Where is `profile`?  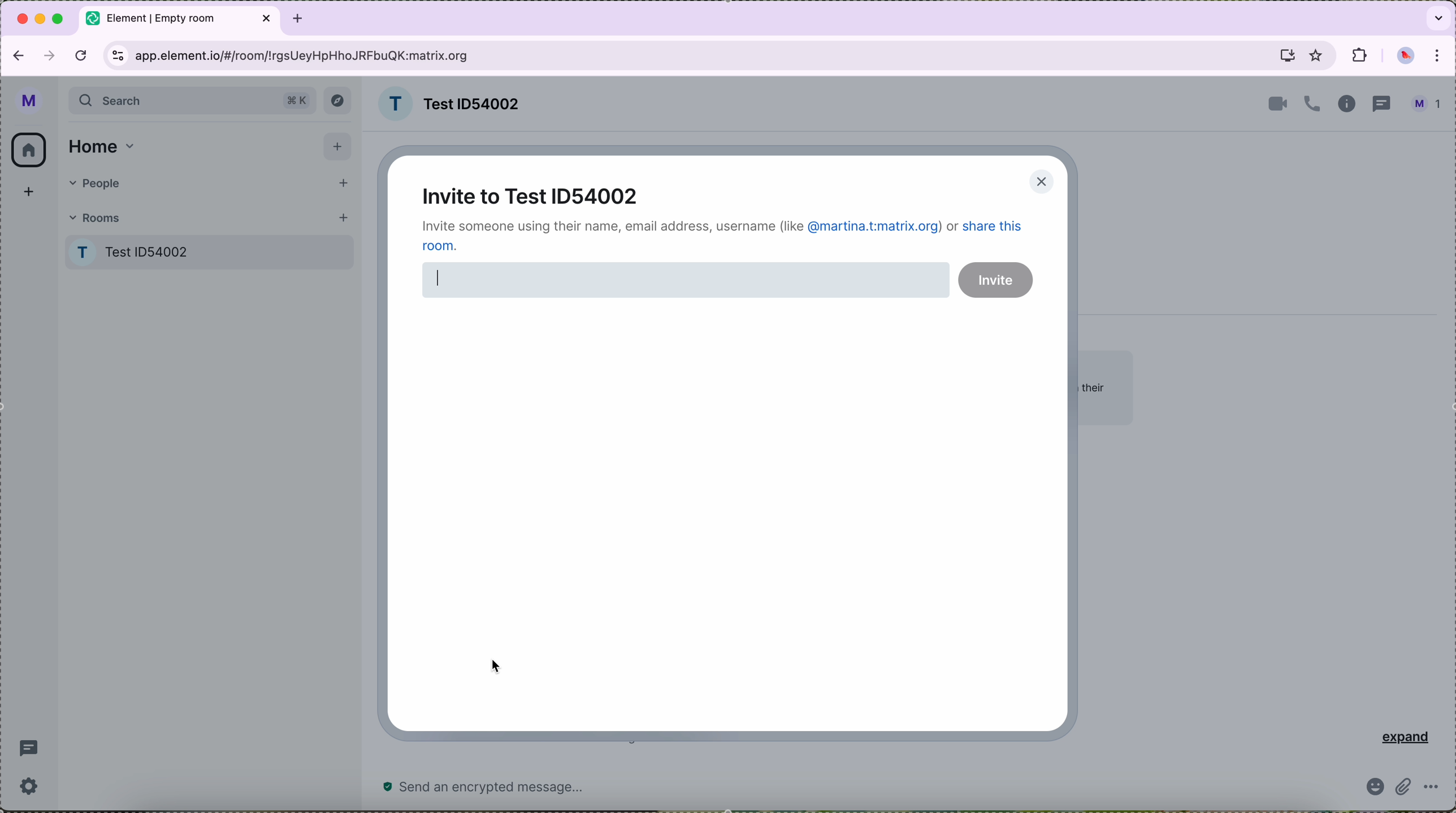 profile is located at coordinates (31, 101).